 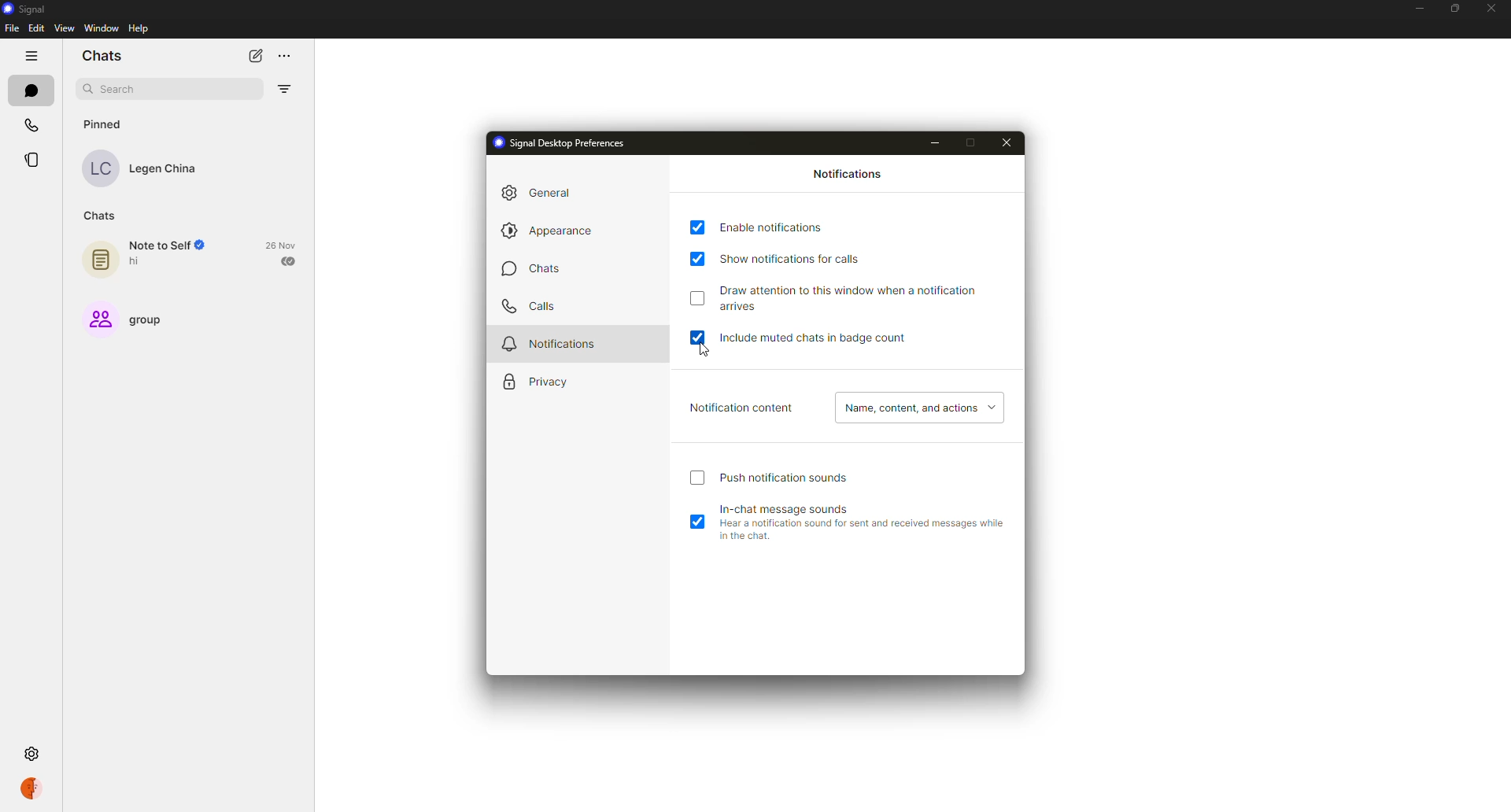 What do you see at coordinates (172, 245) in the screenshot?
I see `note to self` at bounding box center [172, 245].